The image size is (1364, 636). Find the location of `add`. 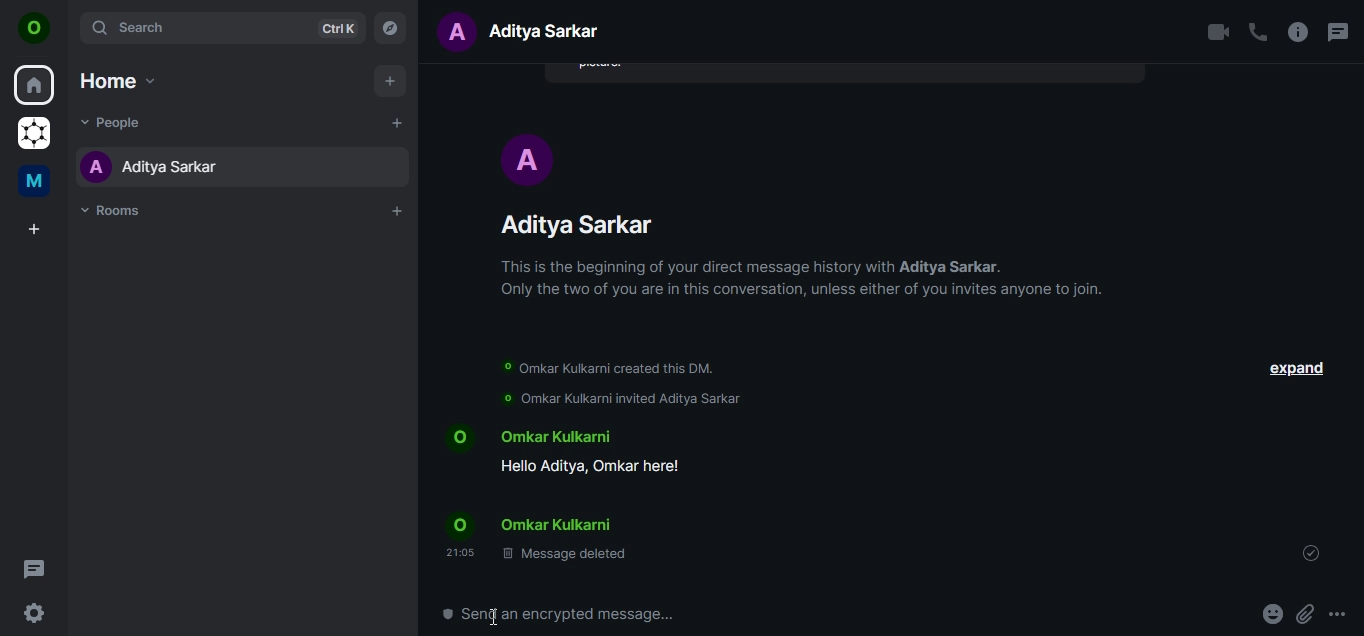

add is located at coordinates (389, 82).